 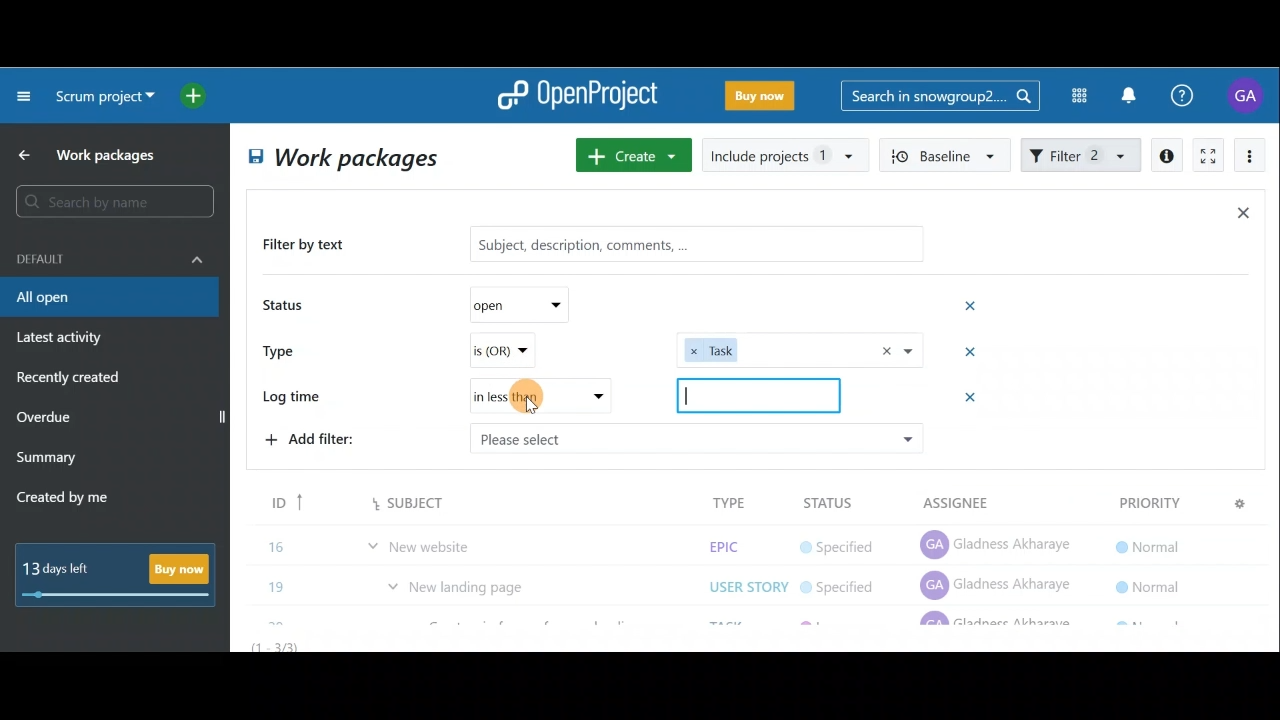 I want to click on Open details view, so click(x=1168, y=156).